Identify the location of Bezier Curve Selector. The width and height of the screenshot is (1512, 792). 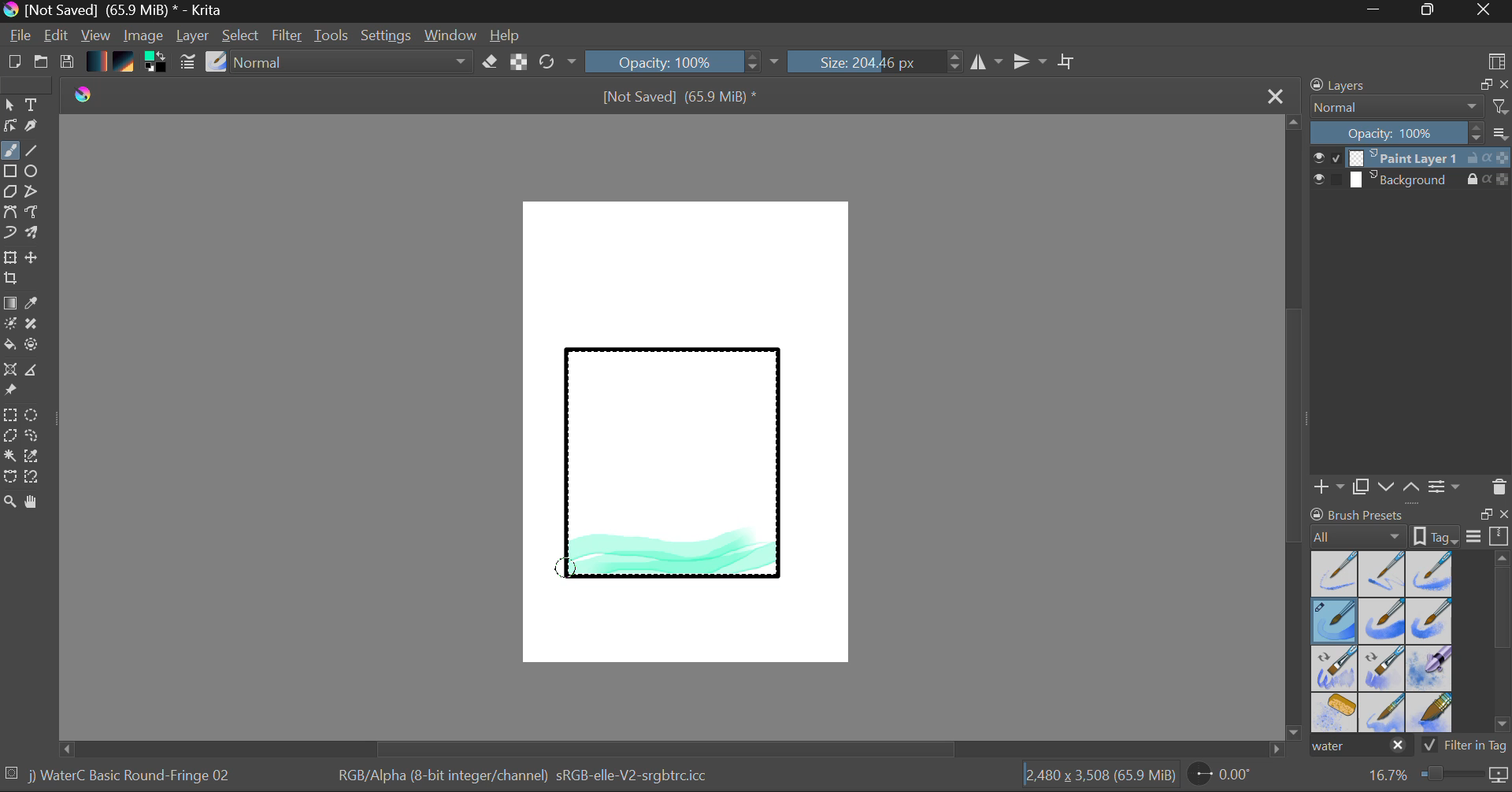
(9, 478).